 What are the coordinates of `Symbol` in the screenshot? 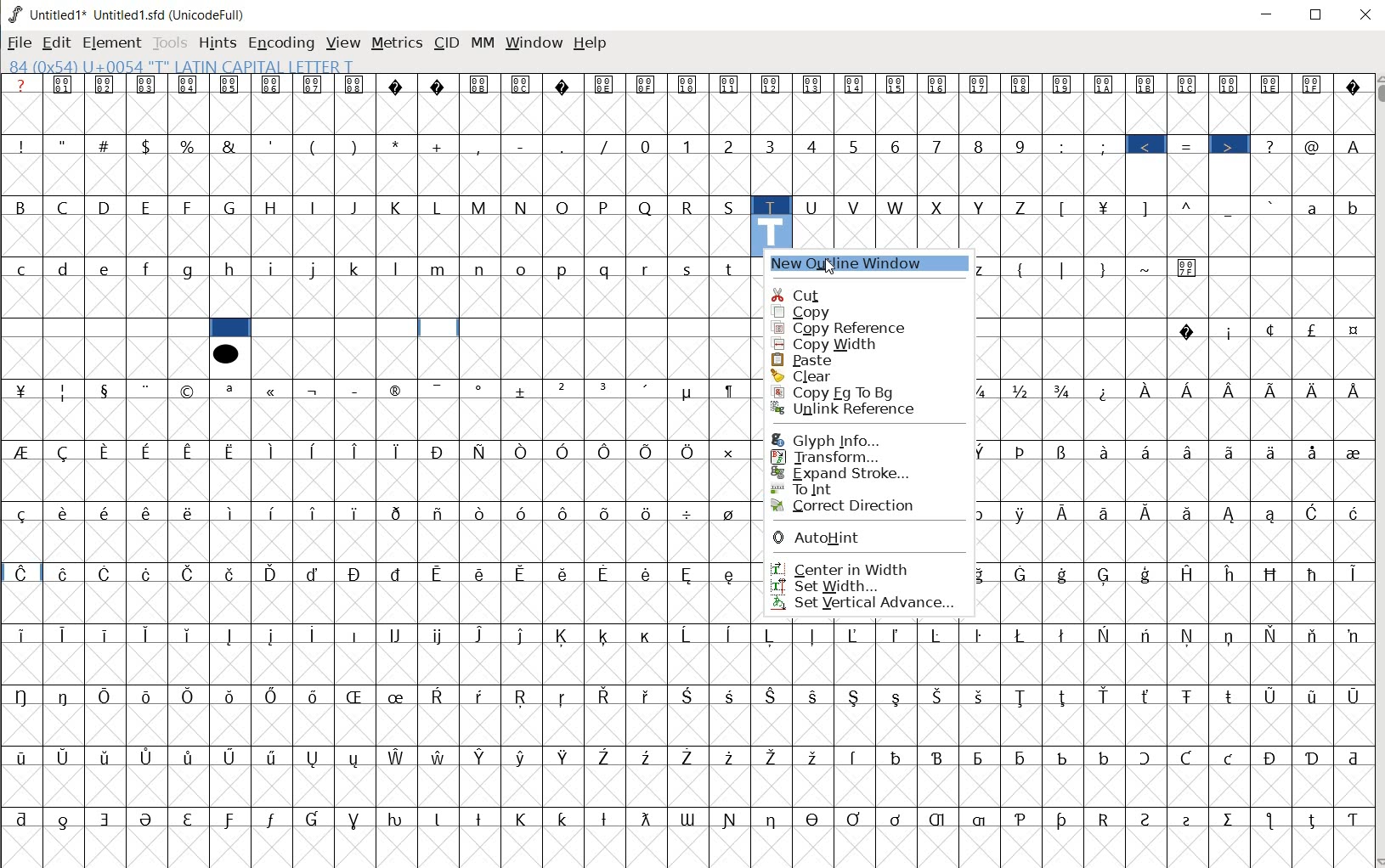 It's located at (440, 817).